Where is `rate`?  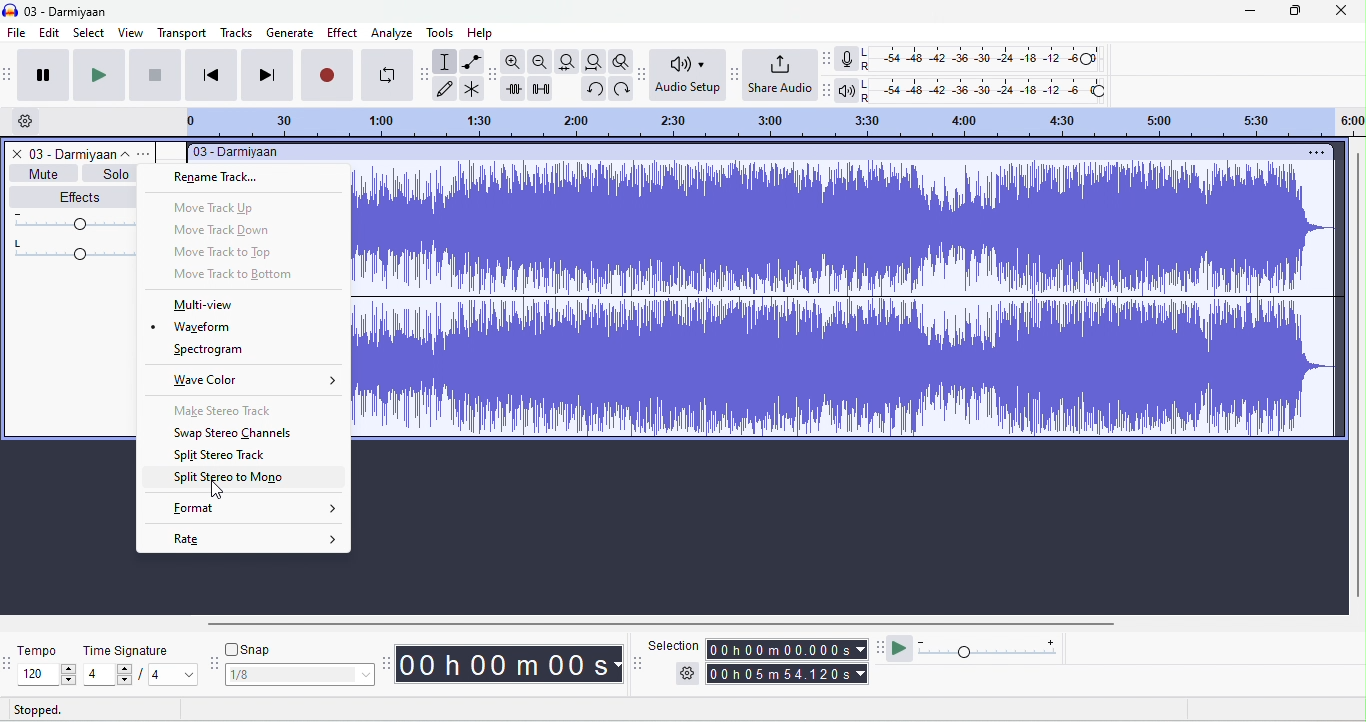
rate is located at coordinates (245, 538).